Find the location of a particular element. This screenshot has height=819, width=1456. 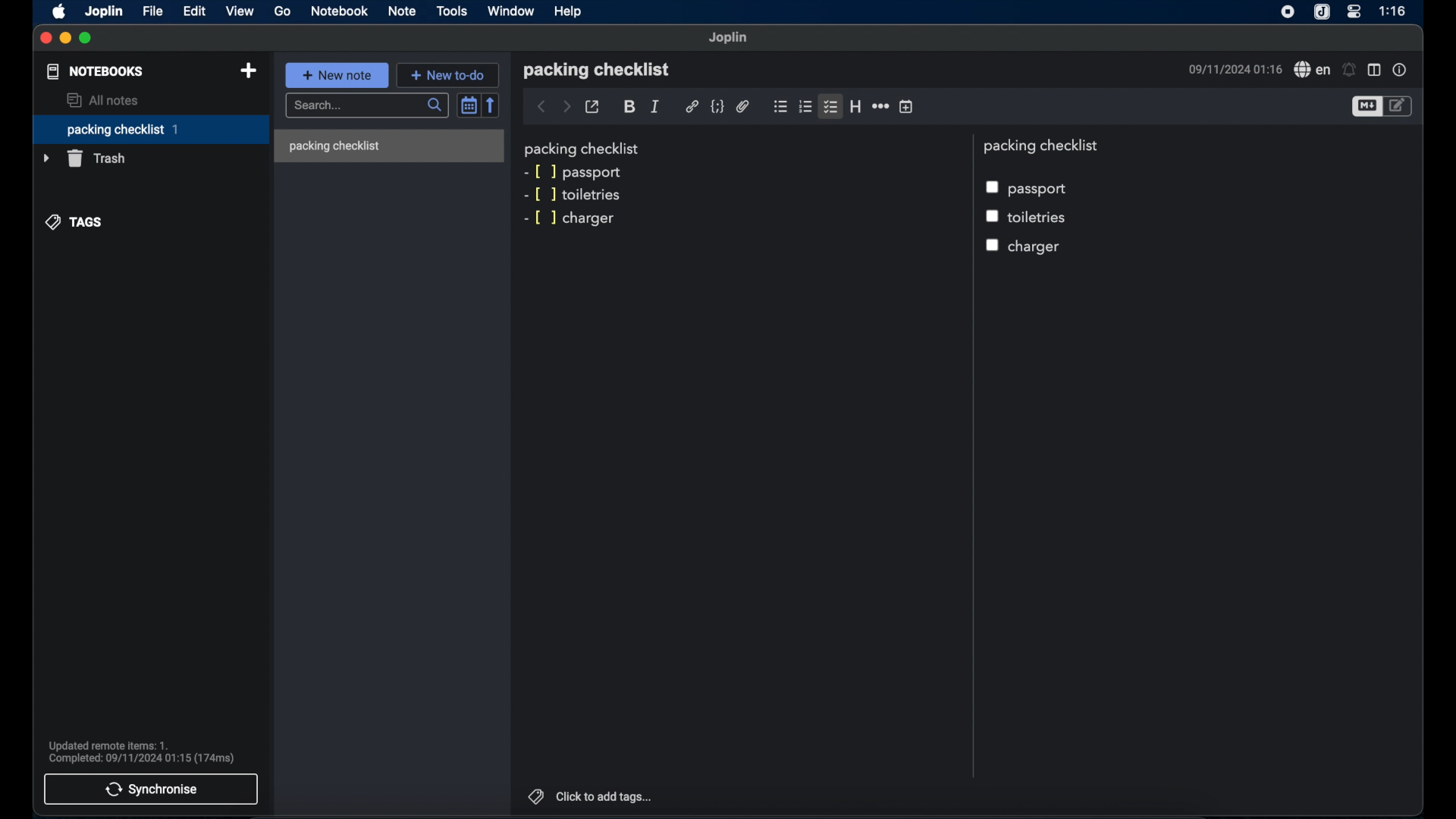

set alarm is located at coordinates (1349, 69).